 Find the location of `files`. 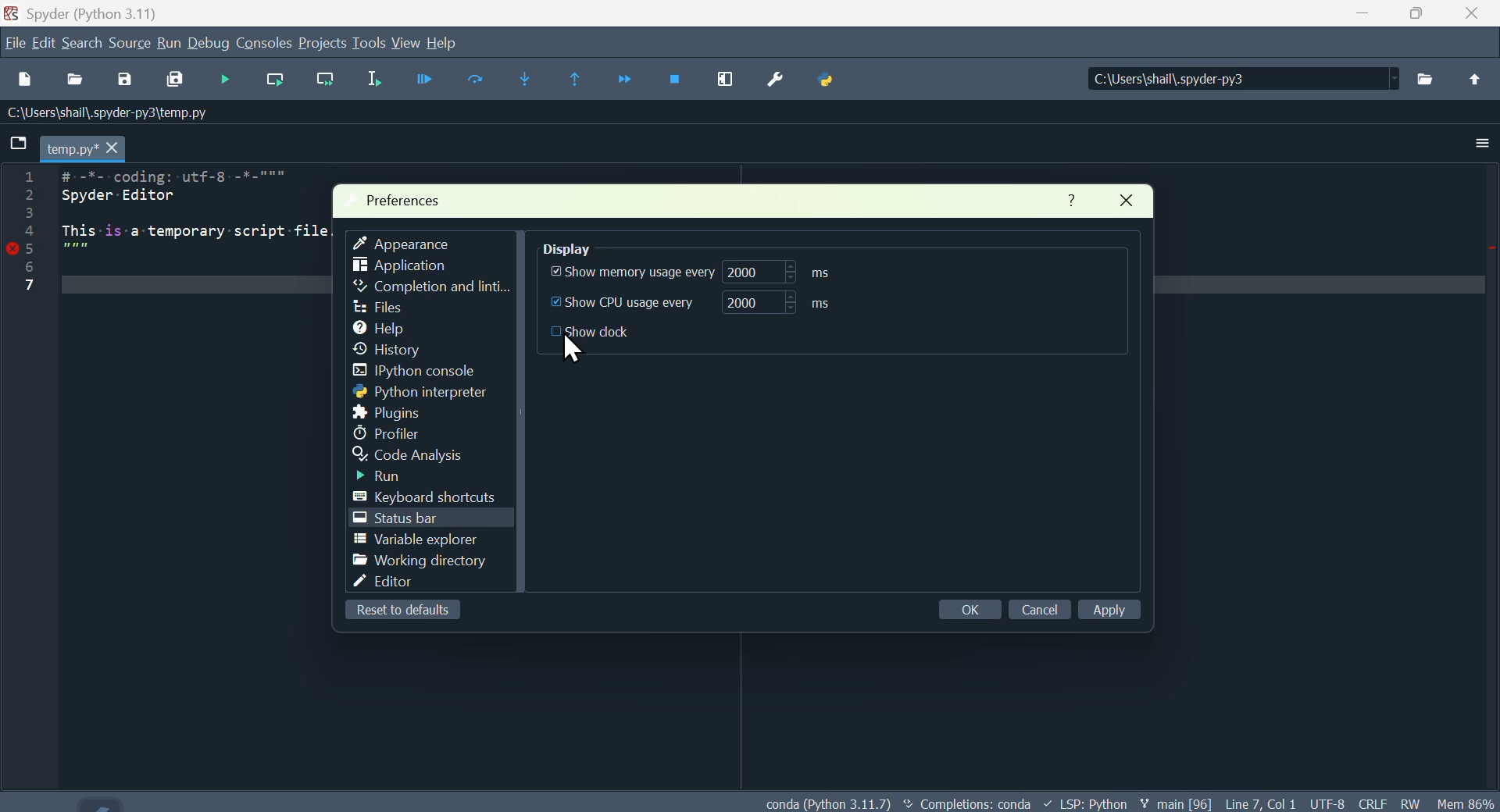

files is located at coordinates (1428, 76).